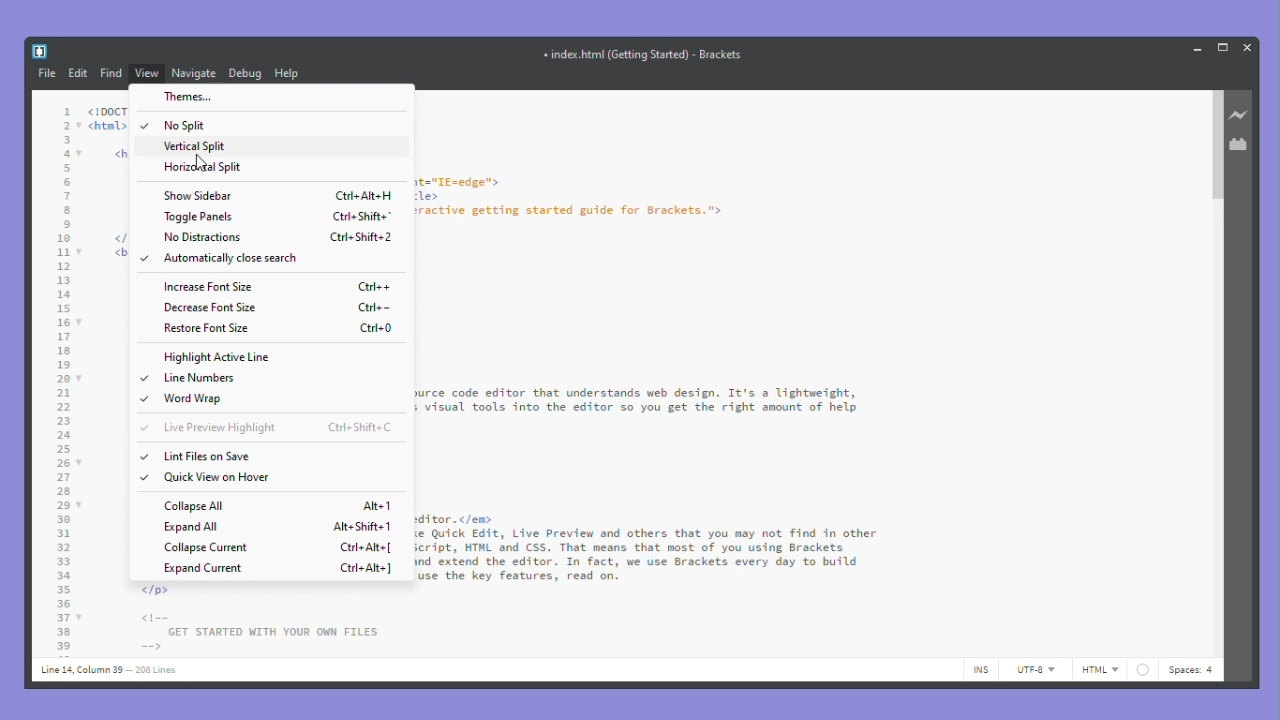 The image size is (1280, 720). I want to click on 6, so click(67, 183).